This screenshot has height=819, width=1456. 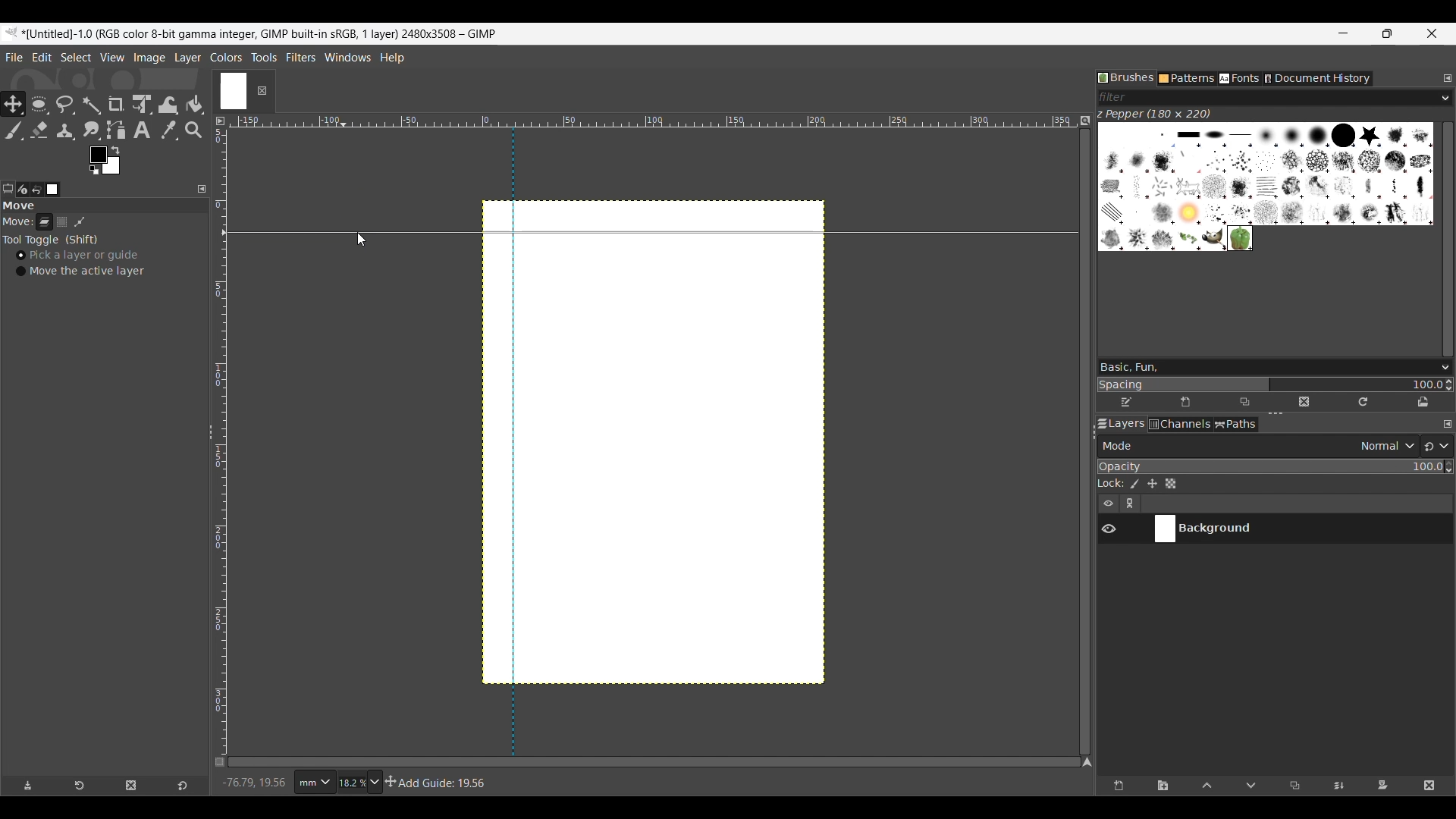 I want to click on Image menu, so click(x=149, y=58).